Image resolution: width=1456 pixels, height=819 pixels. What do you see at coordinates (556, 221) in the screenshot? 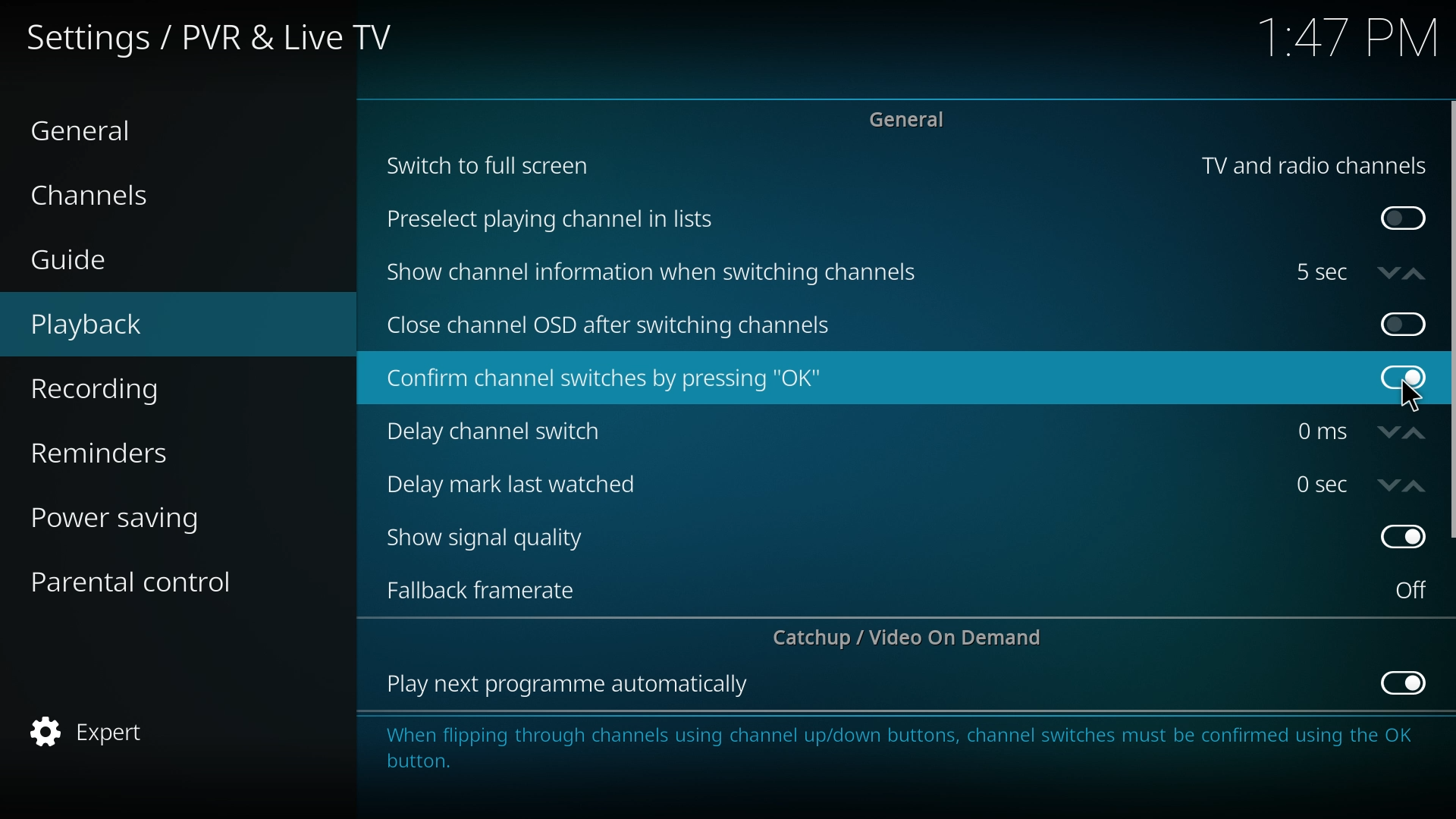
I see `preselect plating channel in lists` at bounding box center [556, 221].